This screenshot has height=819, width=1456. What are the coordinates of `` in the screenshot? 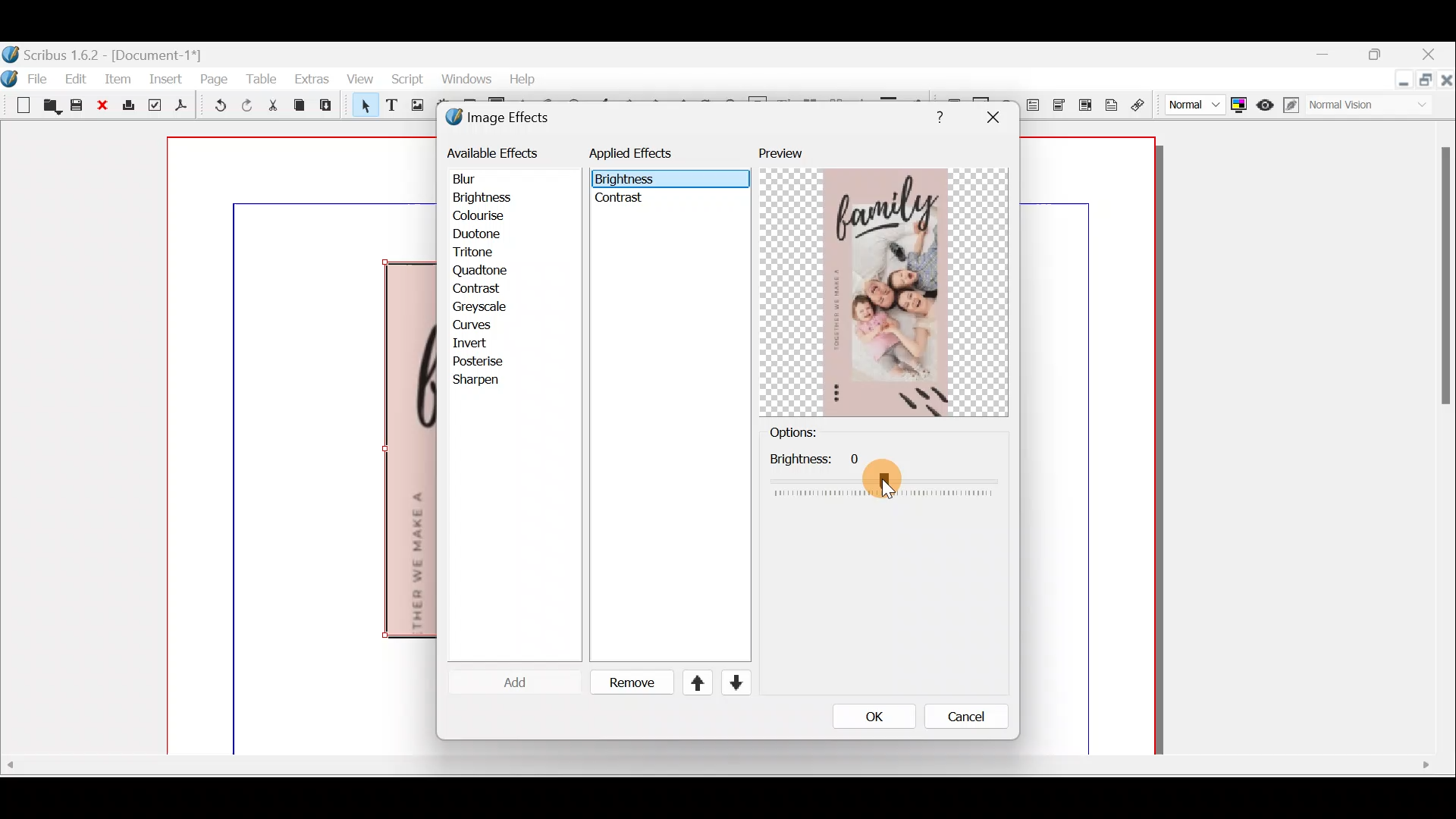 It's located at (883, 474).